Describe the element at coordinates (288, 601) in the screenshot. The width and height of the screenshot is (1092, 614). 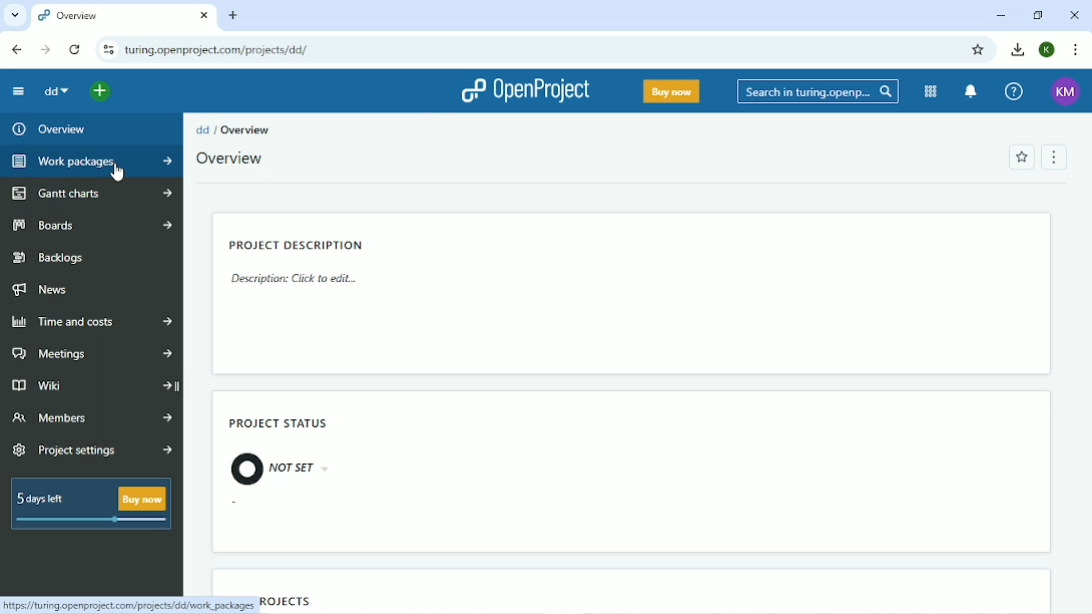
I see `Subprojects` at that location.